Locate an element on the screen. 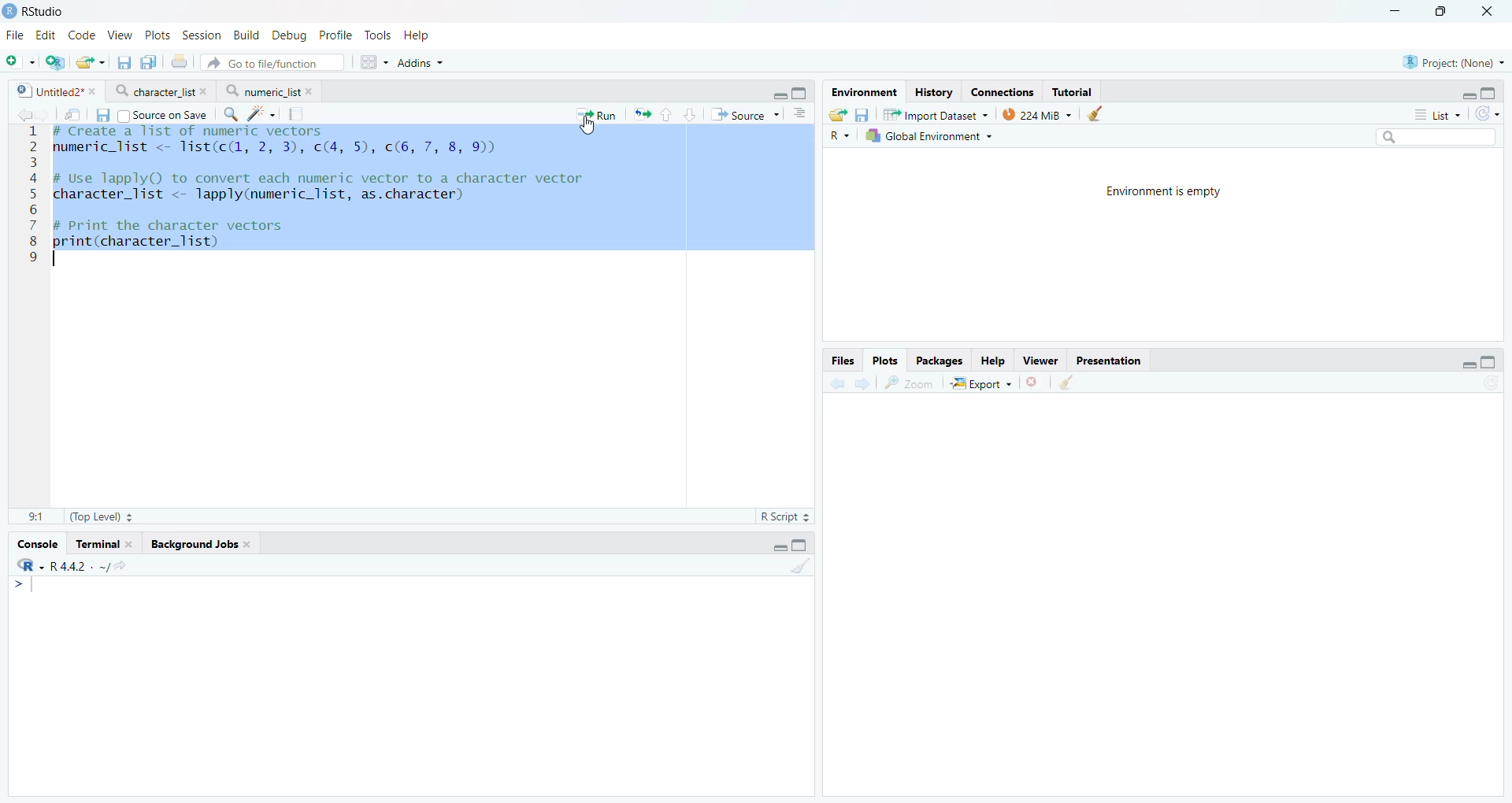  Source is located at coordinates (743, 115).